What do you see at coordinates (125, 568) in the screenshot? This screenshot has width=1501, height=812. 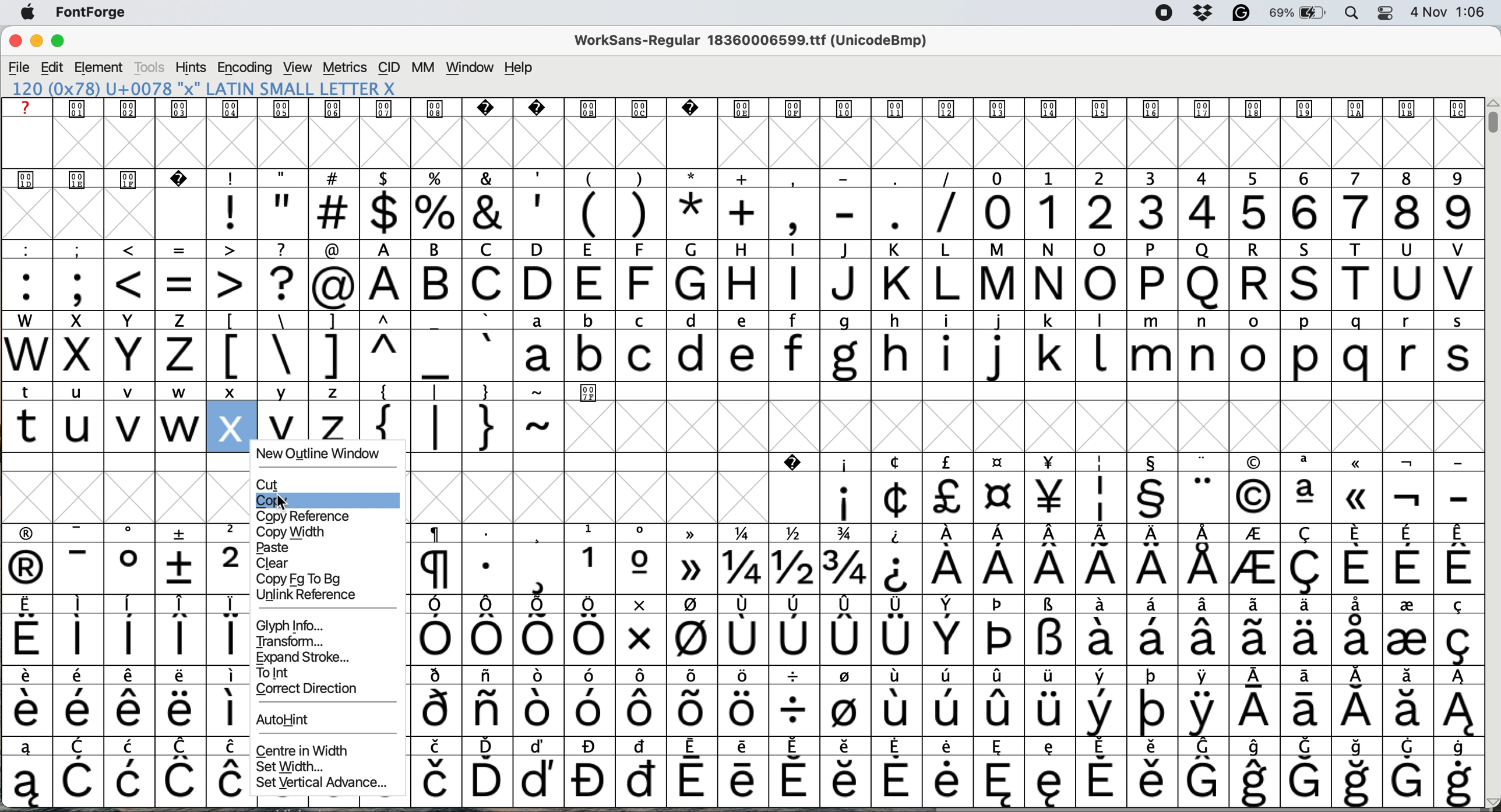 I see `special characters` at bounding box center [125, 568].